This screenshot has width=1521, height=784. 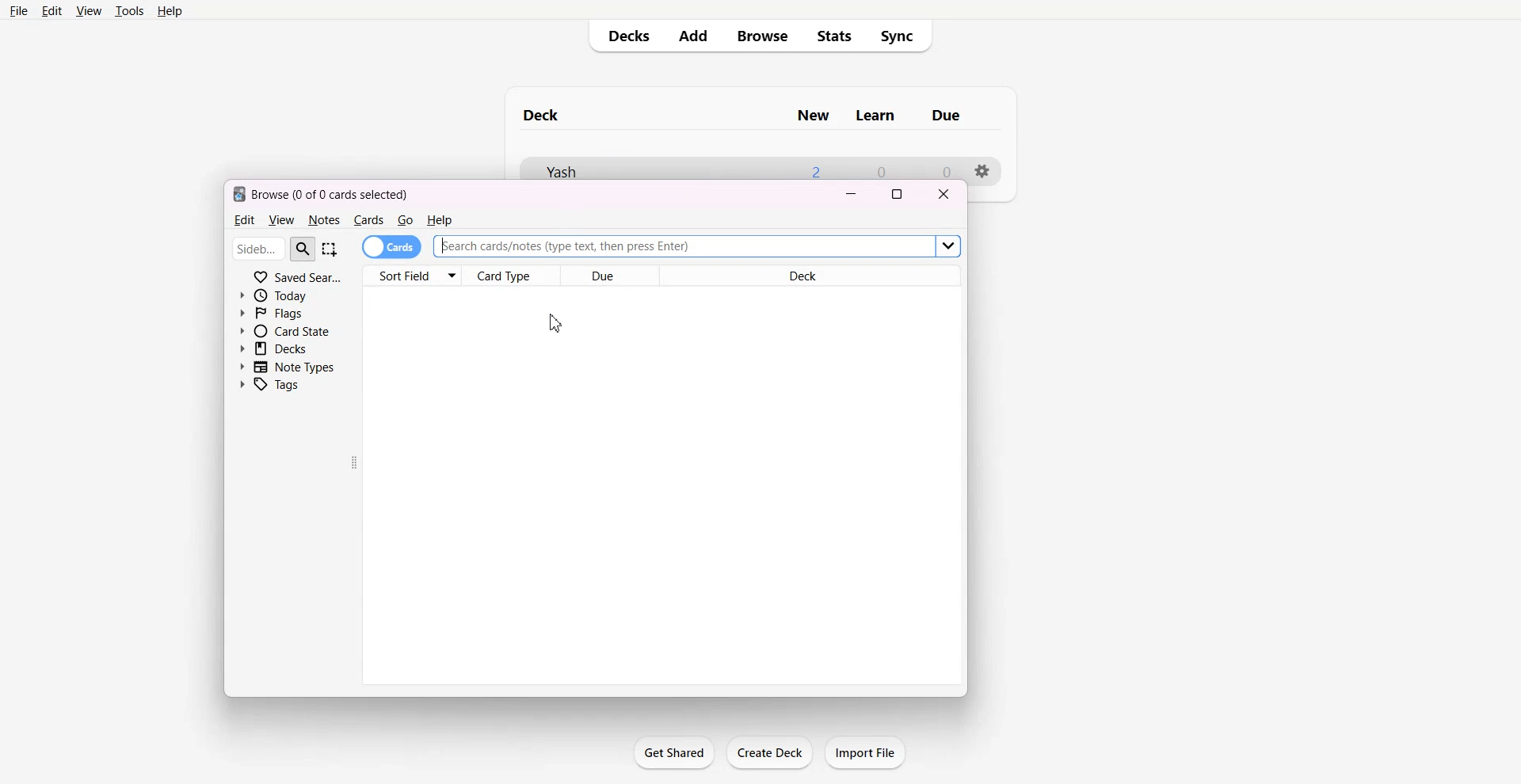 What do you see at coordinates (852, 193) in the screenshot?
I see `Minimize` at bounding box center [852, 193].